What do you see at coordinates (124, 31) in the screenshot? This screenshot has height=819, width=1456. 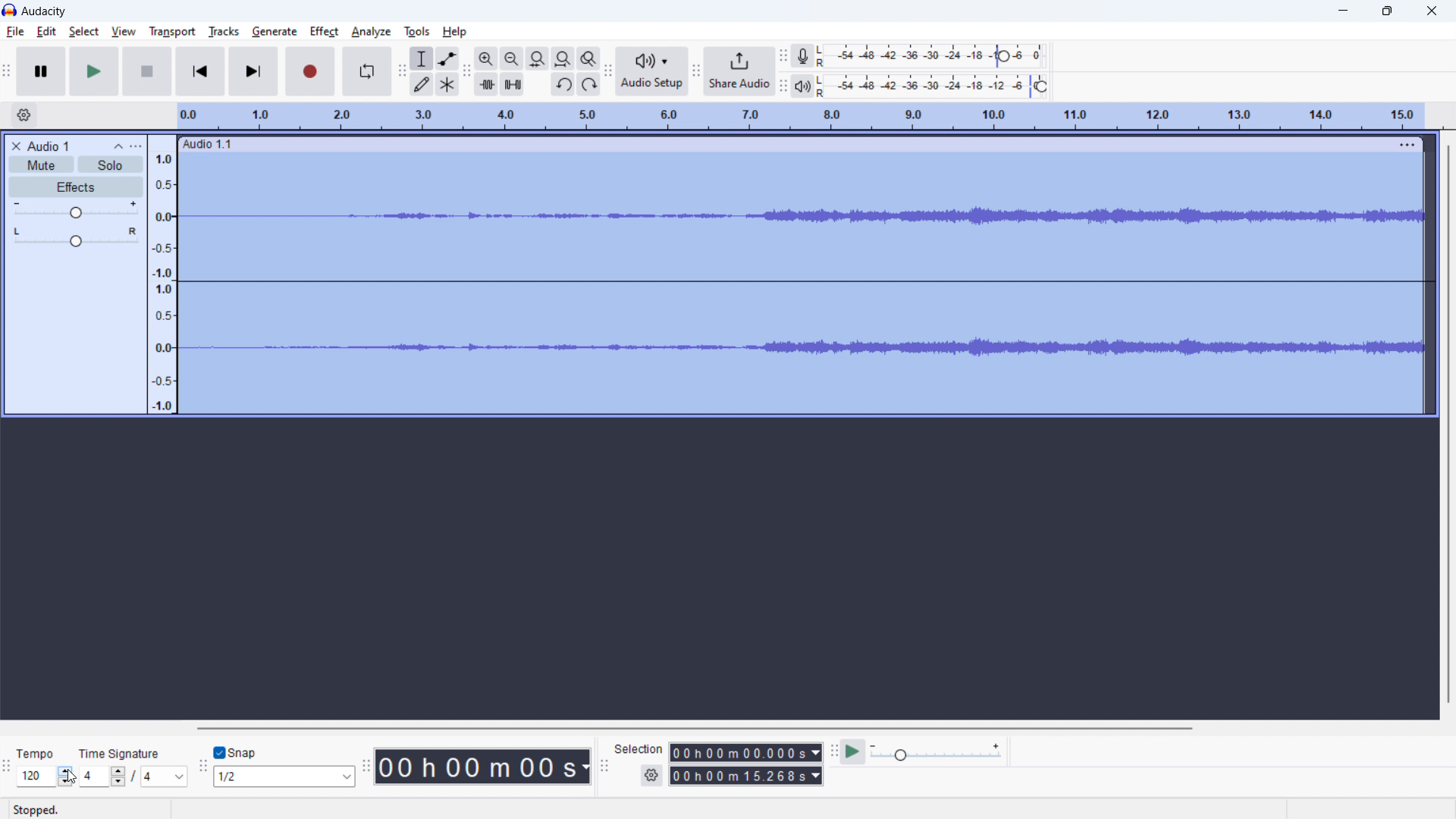 I see `view` at bounding box center [124, 31].